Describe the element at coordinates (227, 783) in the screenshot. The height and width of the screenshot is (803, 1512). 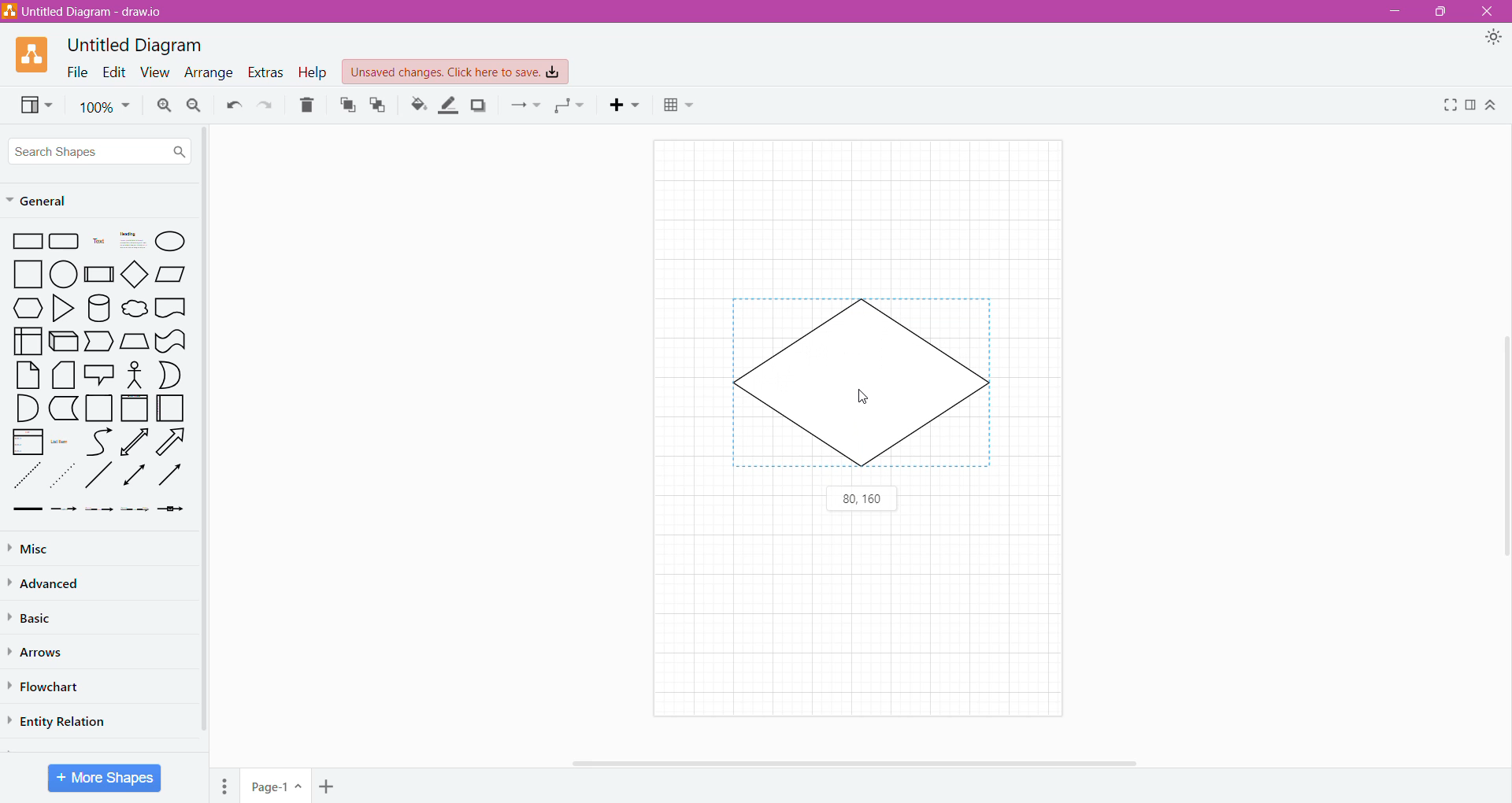
I see `` at that location.